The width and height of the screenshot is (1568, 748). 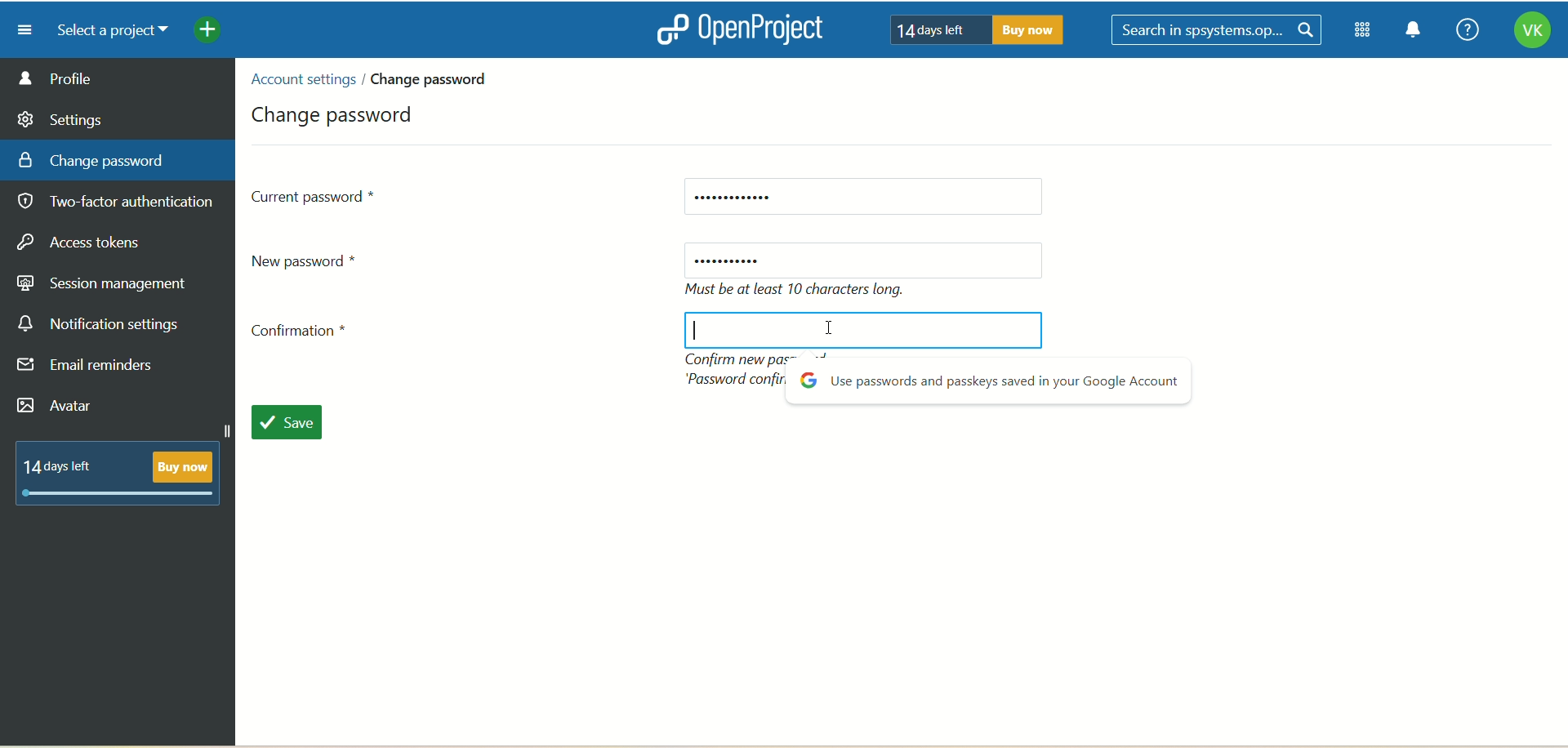 What do you see at coordinates (19, 29) in the screenshot?
I see `menu` at bounding box center [19, 29].